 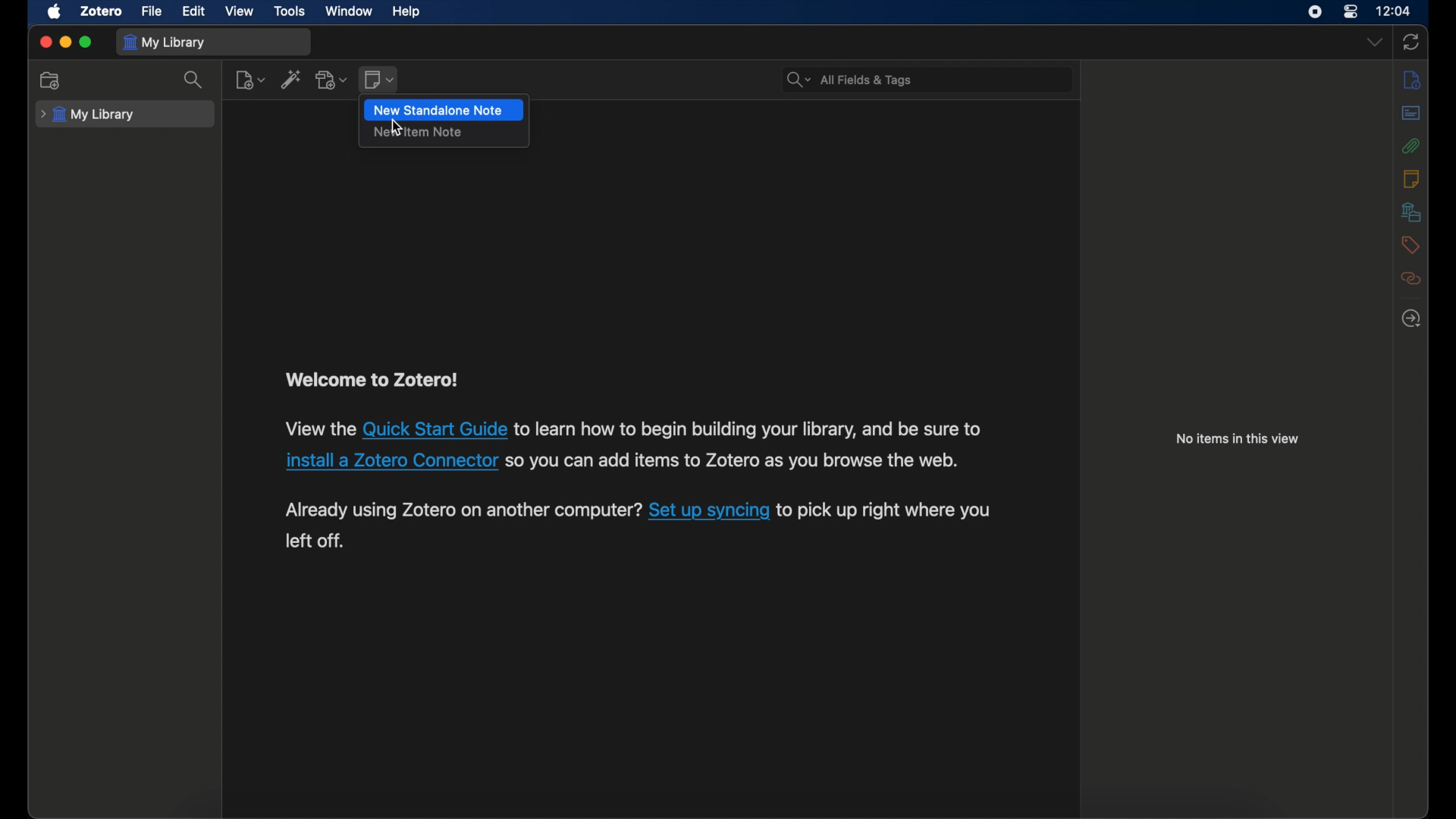 What do you see at coordinates (1239, 440) in the screenshot?
I see `no items in this view` at bounding box center [1239, 440].